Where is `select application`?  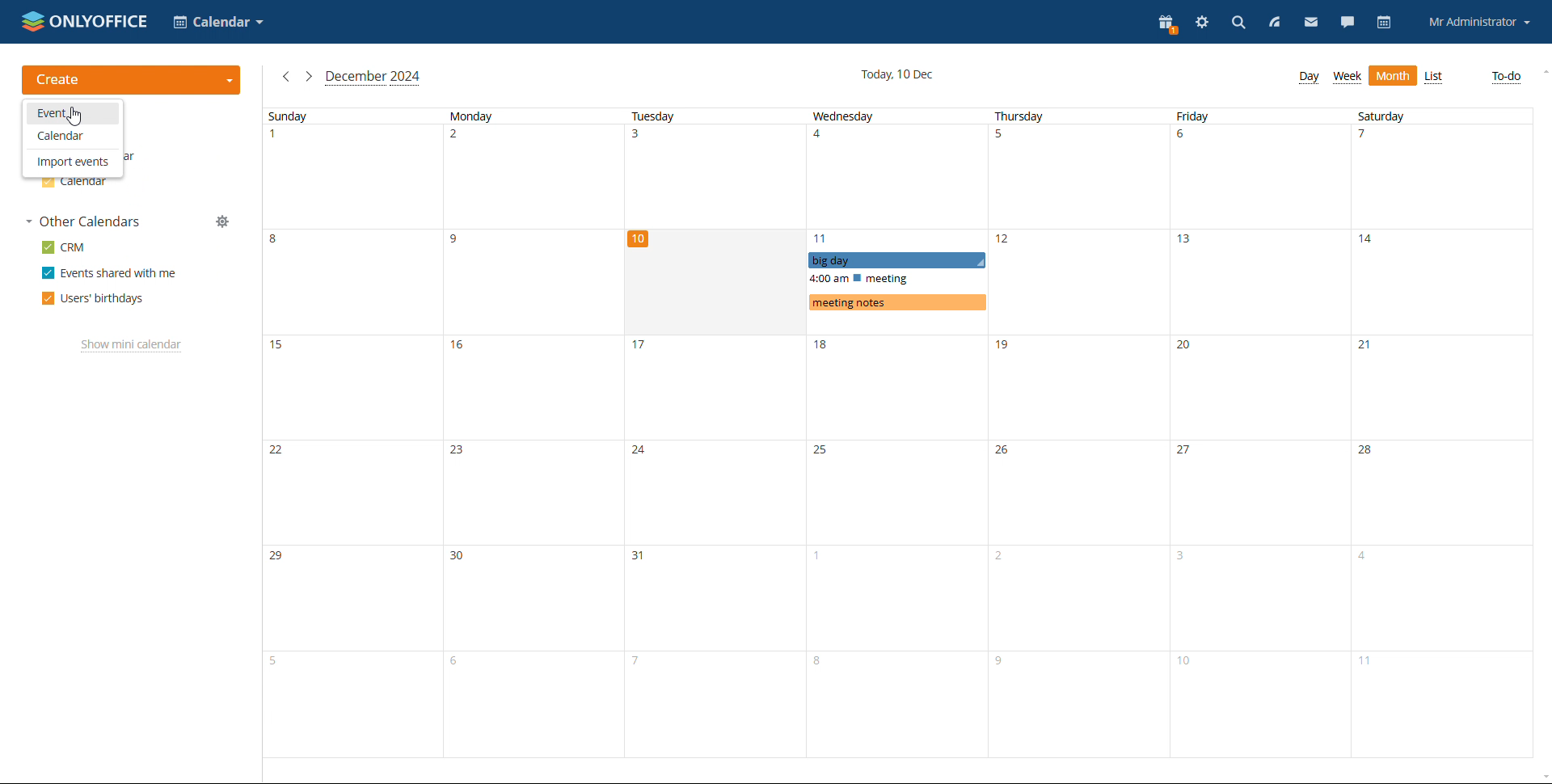
select application is located at coordinates (219, 22).